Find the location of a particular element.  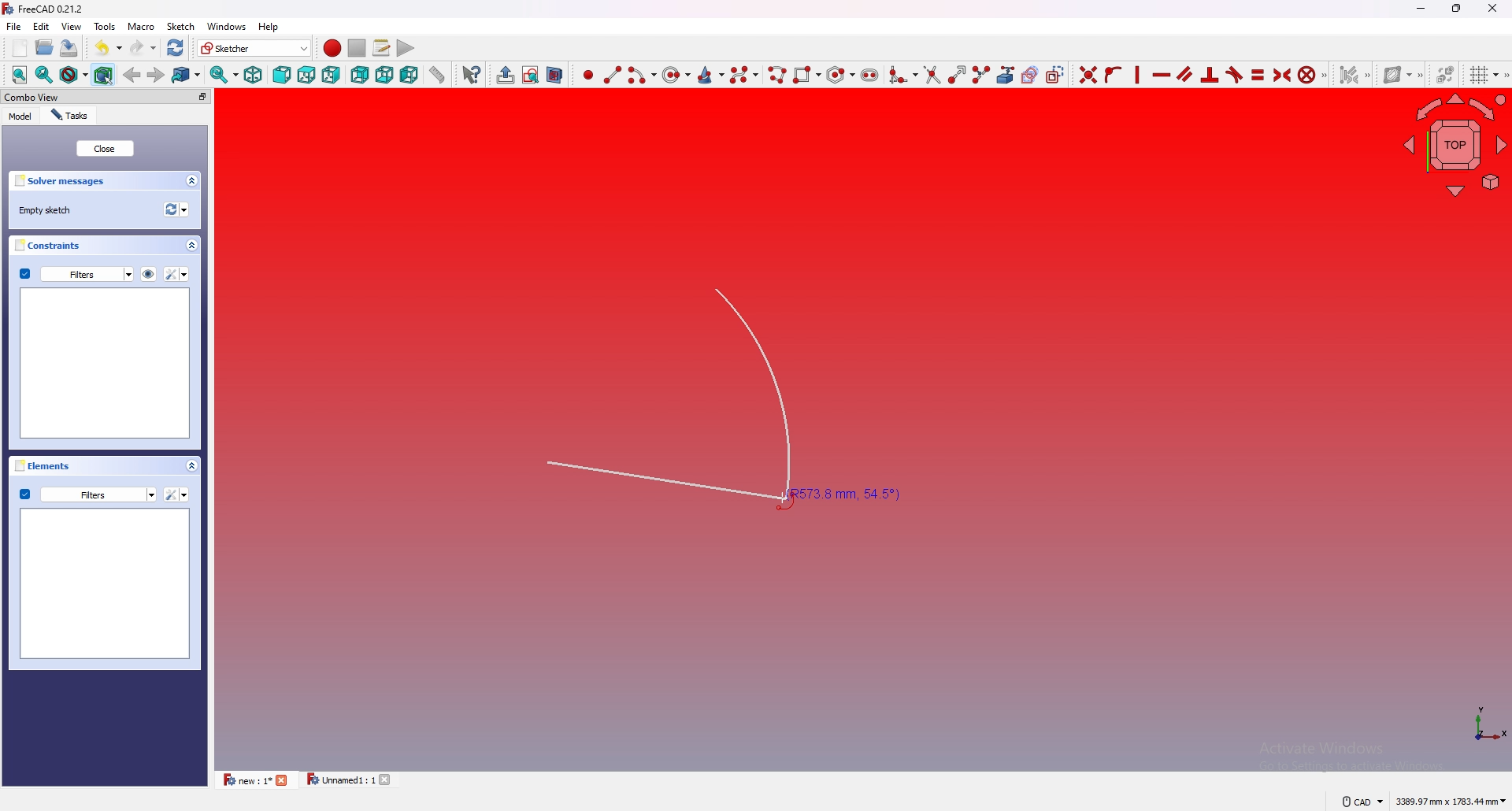

right is located at coordinates (332, 74).